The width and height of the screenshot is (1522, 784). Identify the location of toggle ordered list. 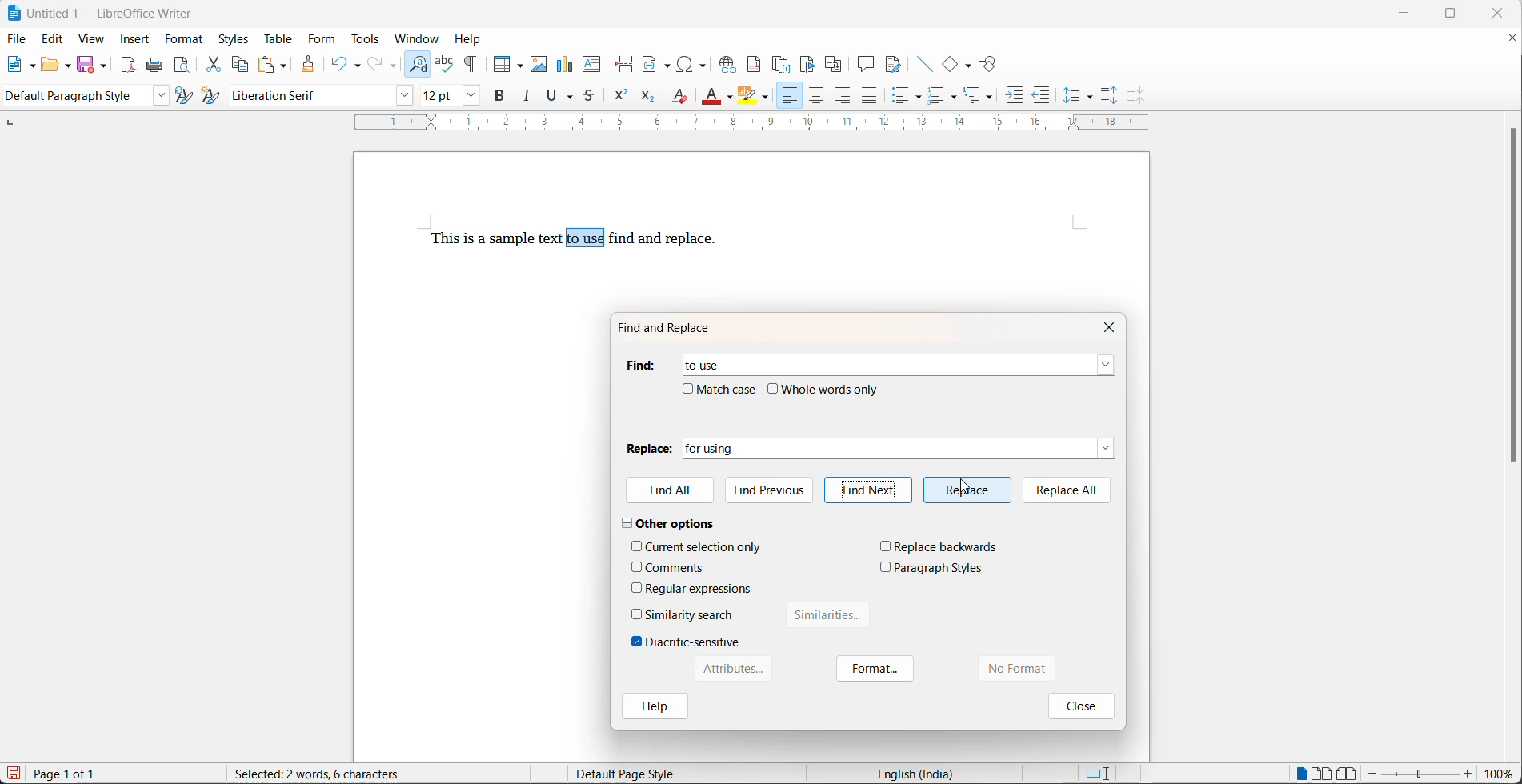
(938, 97).